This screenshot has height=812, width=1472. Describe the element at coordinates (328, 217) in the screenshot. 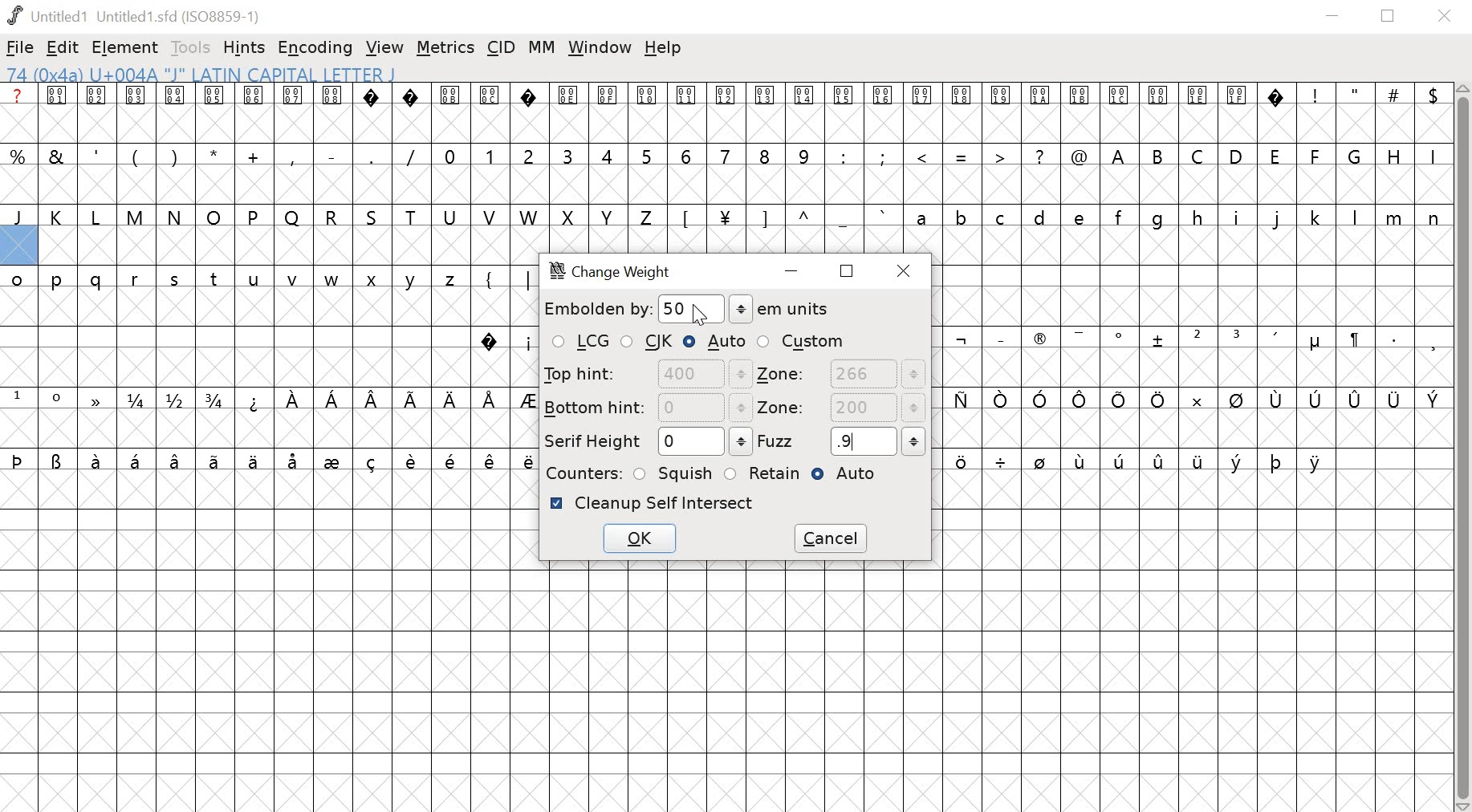

I see `uppercase letters` at that location.